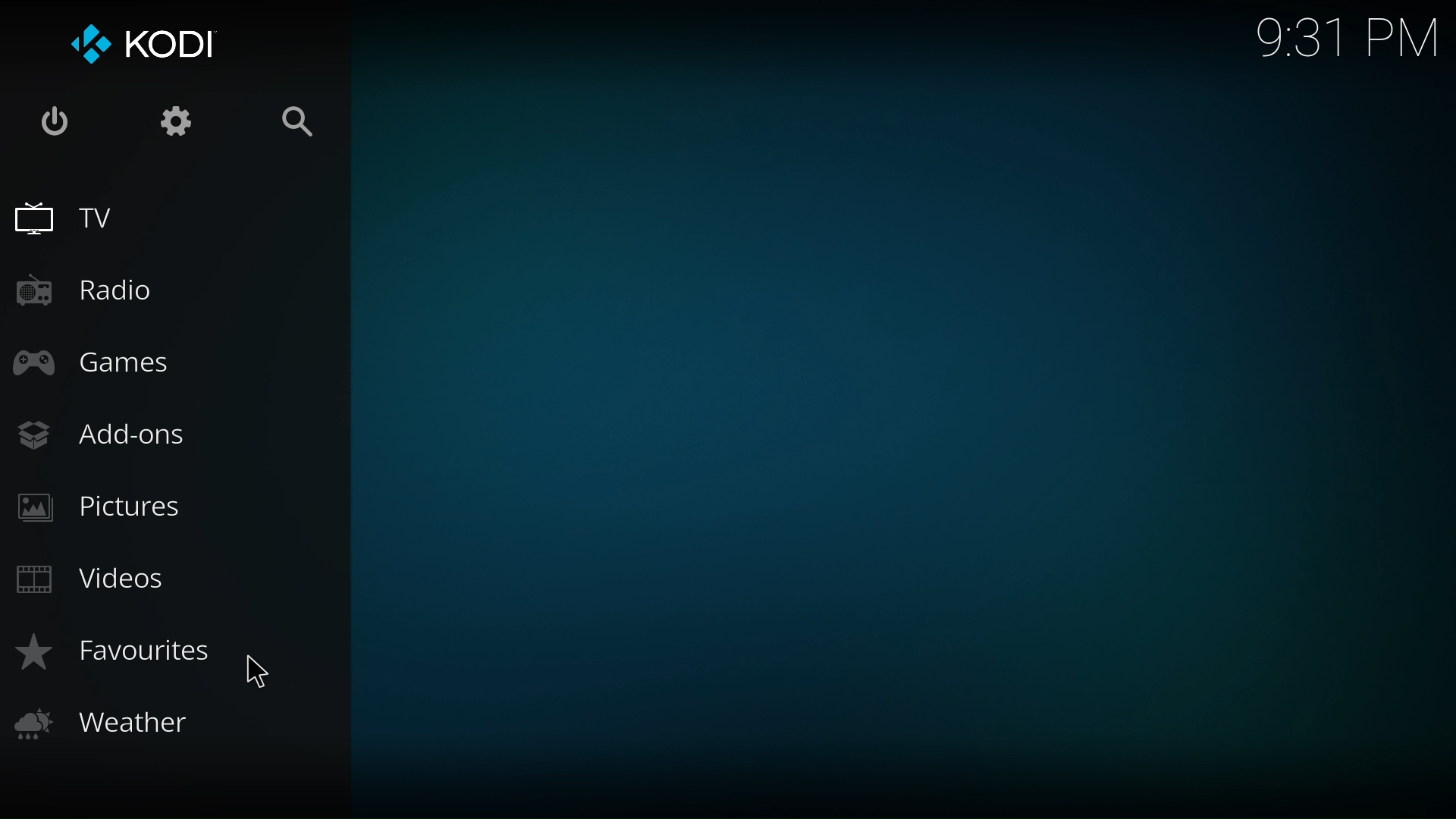 Image resolution: width=1456 pixels, height=819 pixels. Describe the element at coordinates (264, 676) in the screenshot. I see `cursor` at that location.